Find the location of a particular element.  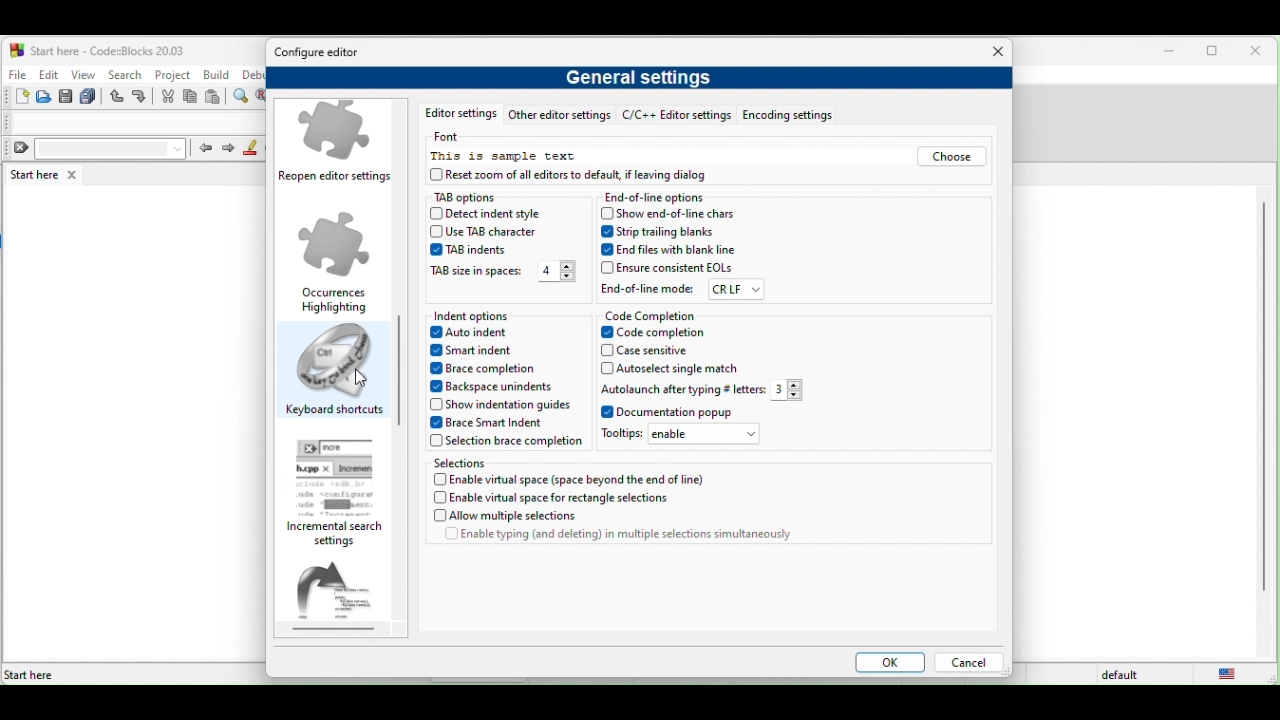

autolaunch after typing # letters is located at coordinates (681, 389).